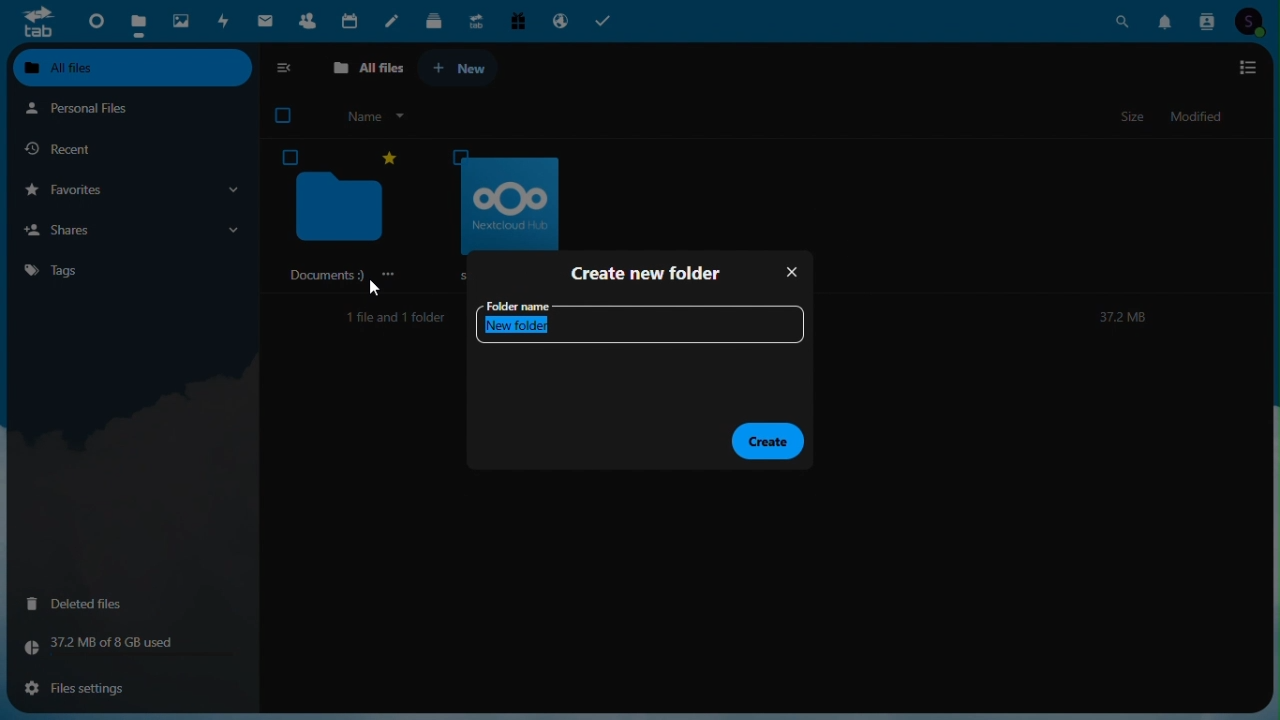 Image resolution: width=1280 pixels, height=720 pixels. What do you see at coordinates (181, 21) in the screenshot?
I see `Photos` at bounding box center [181, 21].